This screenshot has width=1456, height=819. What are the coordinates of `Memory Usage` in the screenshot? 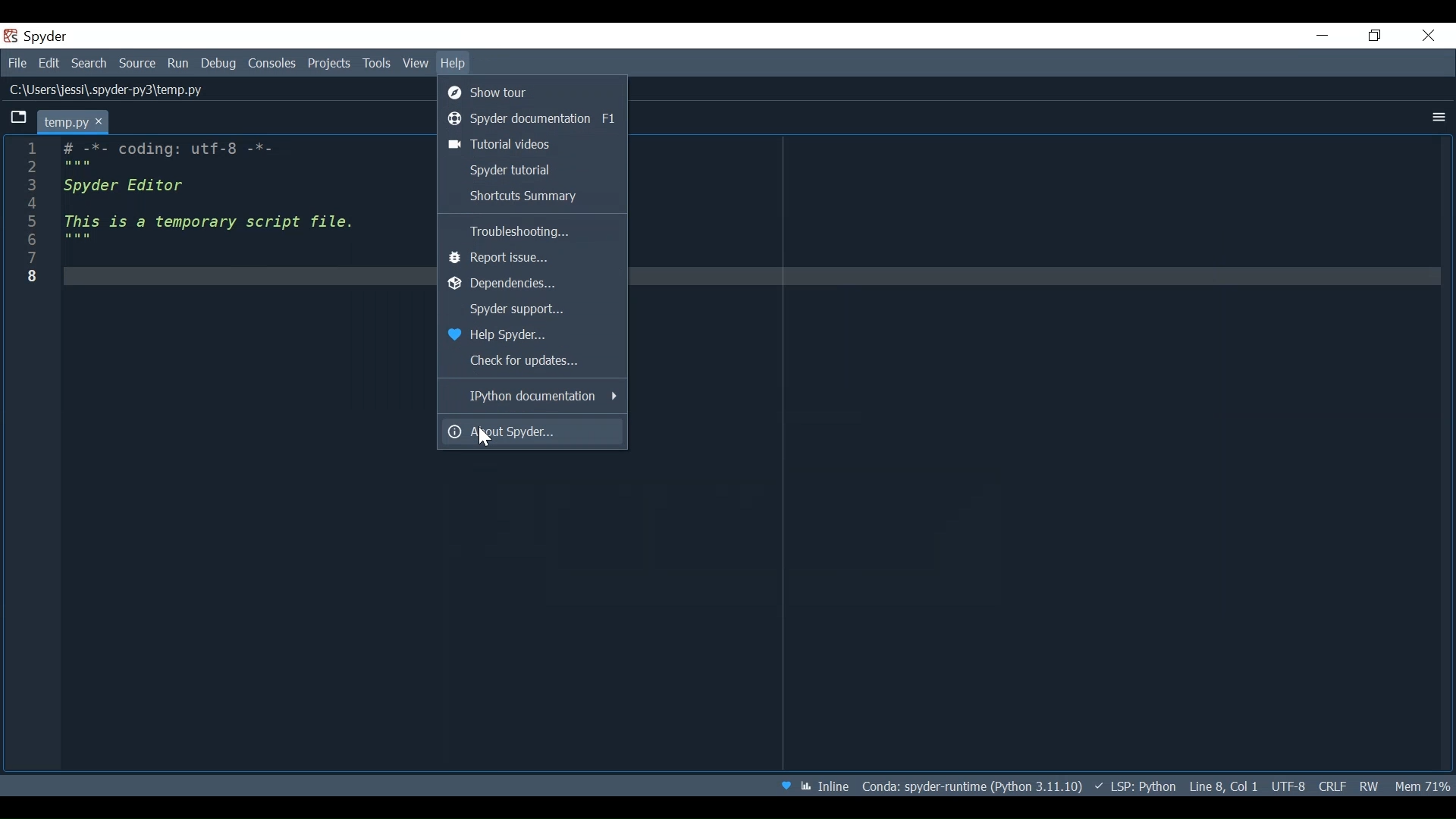 It's located at (1422, 786).